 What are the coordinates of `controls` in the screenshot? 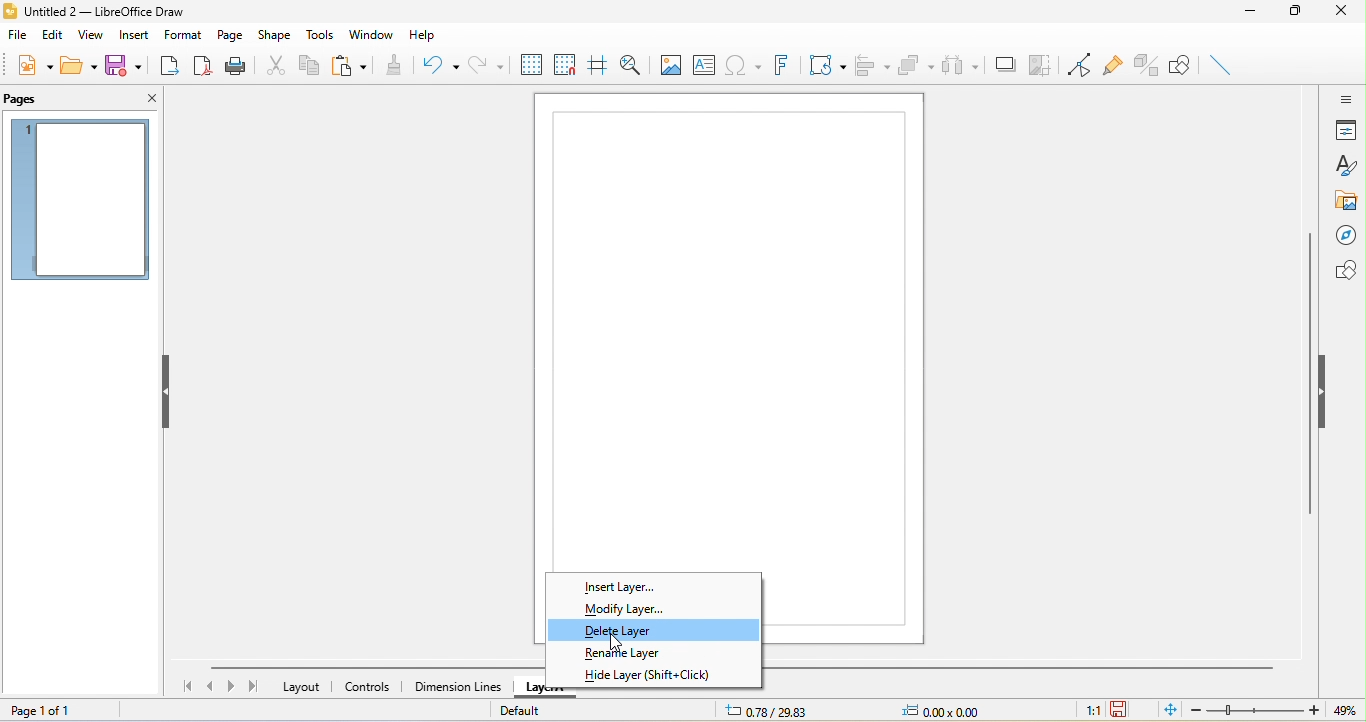 It's located at (374, 686).